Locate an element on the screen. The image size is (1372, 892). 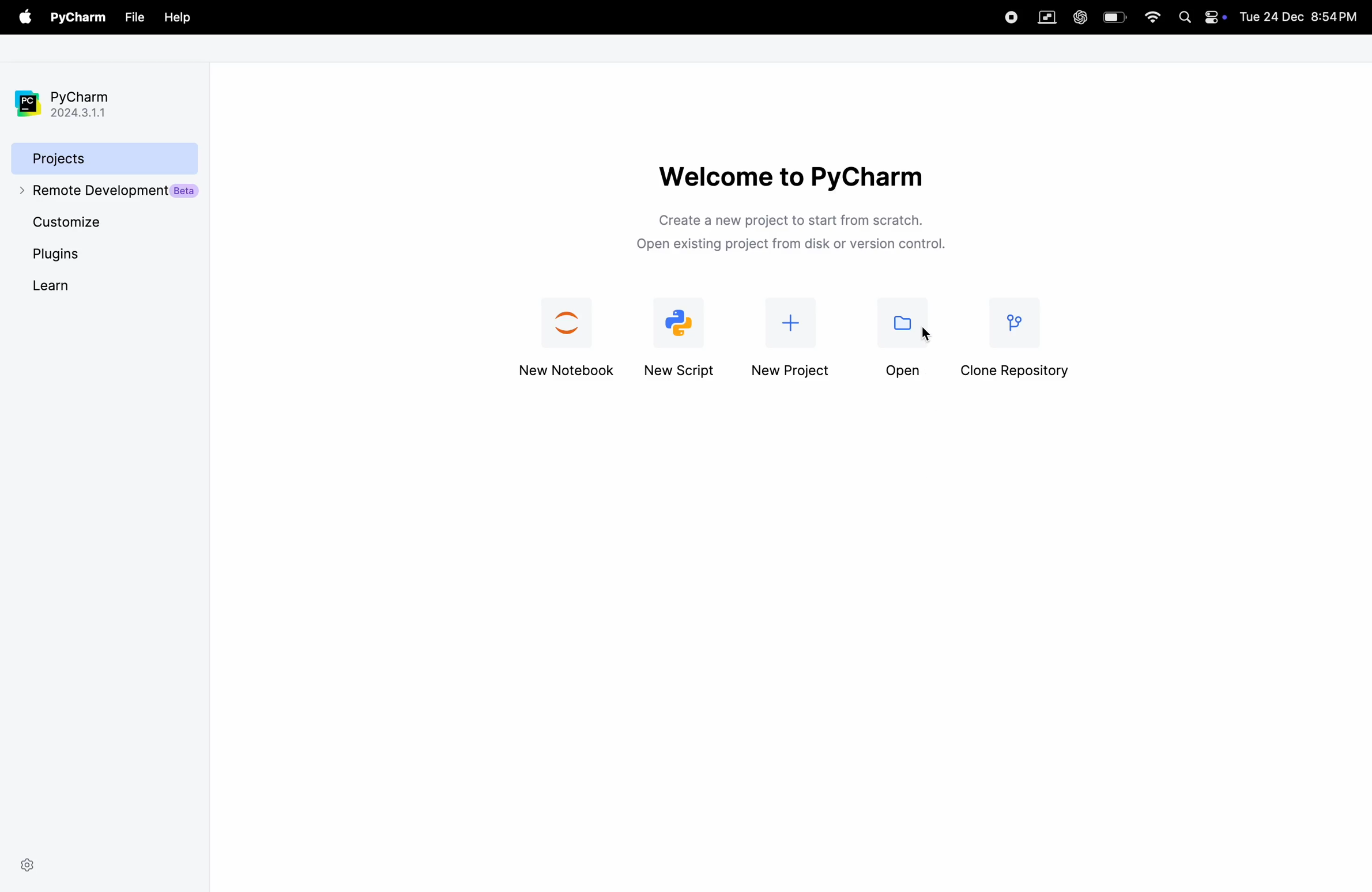
apple menu is located at coordinates (22, 18).